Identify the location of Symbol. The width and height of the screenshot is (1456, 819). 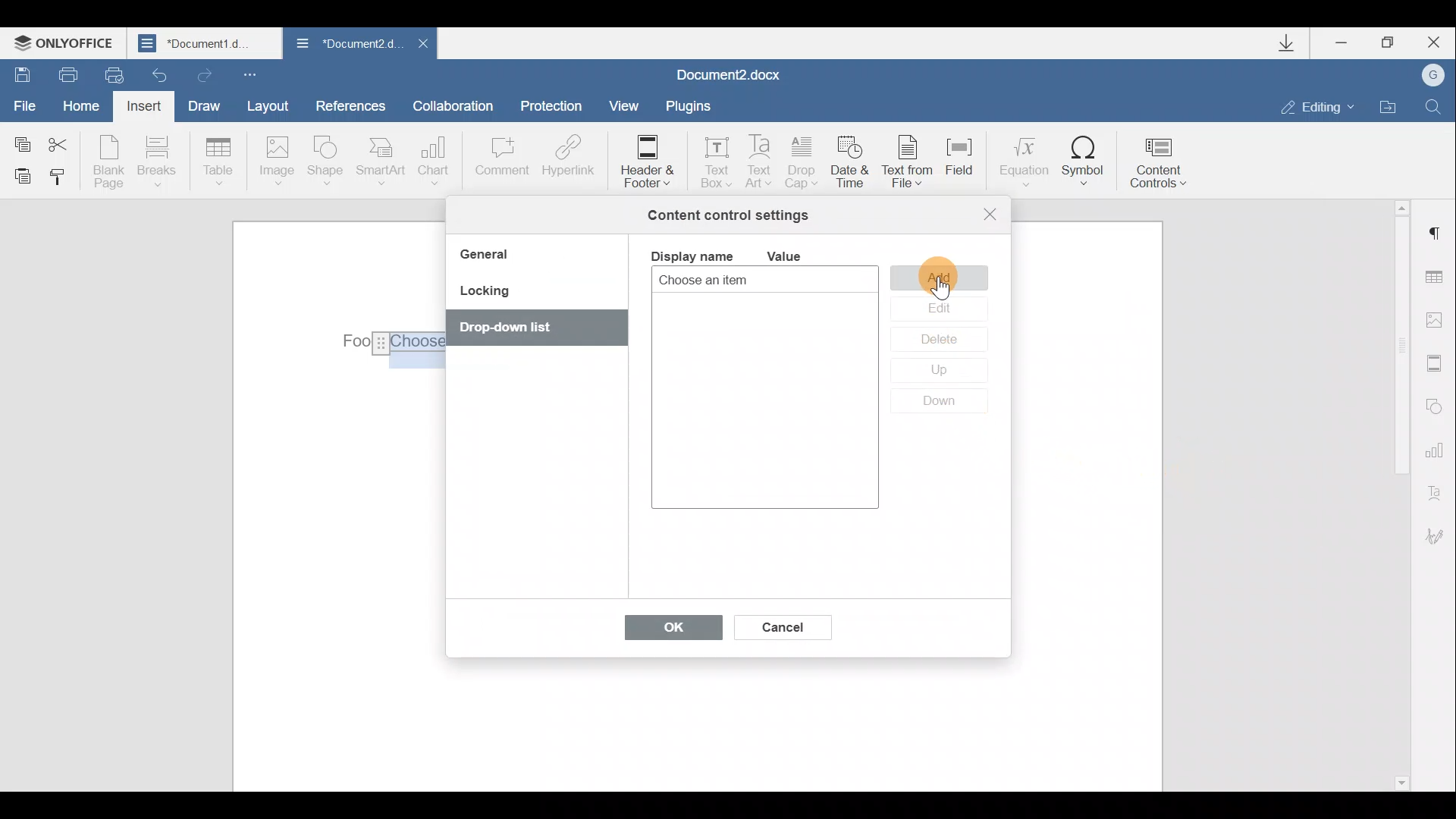
(1084, 160).